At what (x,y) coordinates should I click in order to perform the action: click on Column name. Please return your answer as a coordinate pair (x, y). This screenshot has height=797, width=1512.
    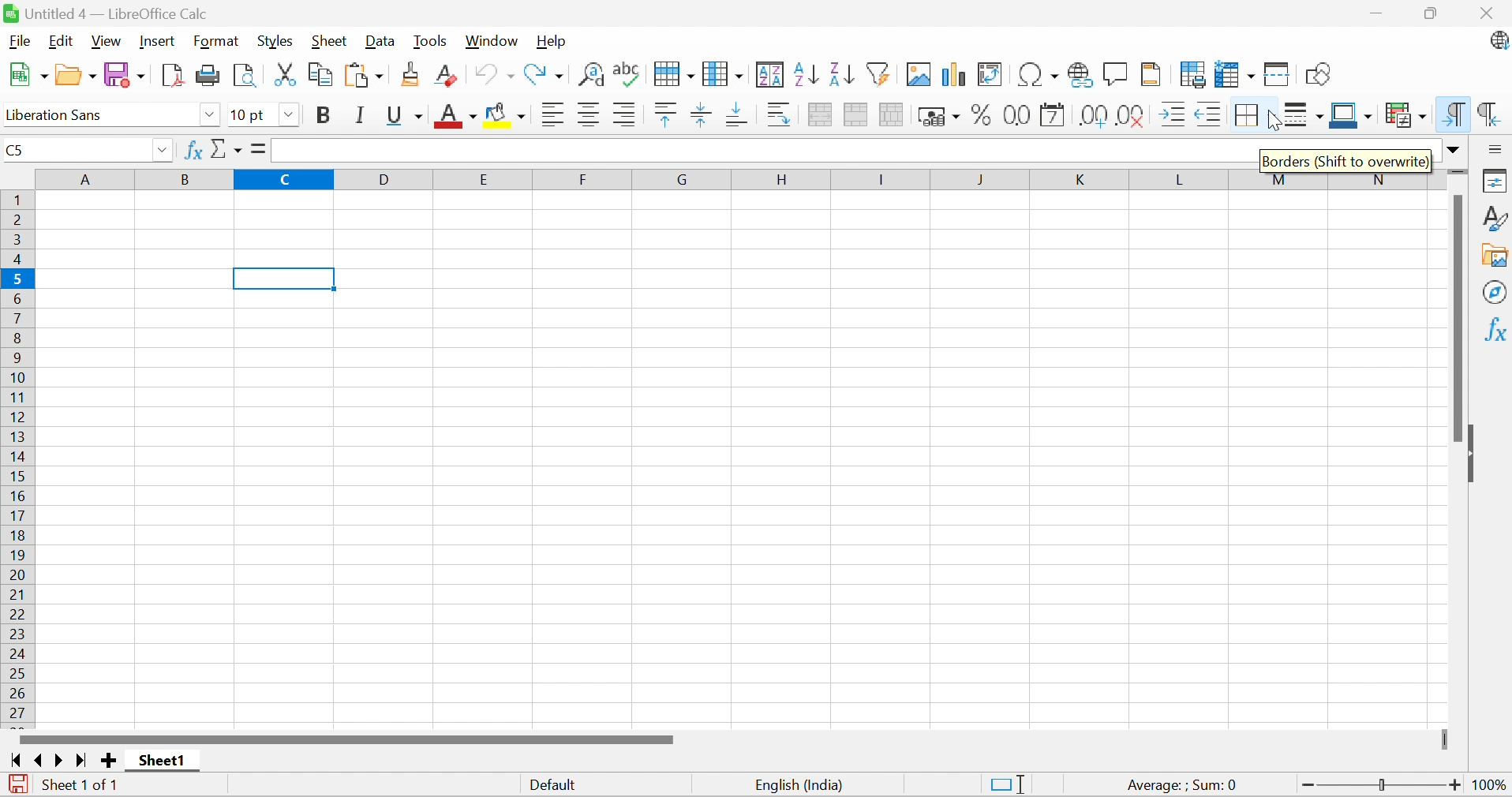
    Looking at the image, I should click on (732, 178).